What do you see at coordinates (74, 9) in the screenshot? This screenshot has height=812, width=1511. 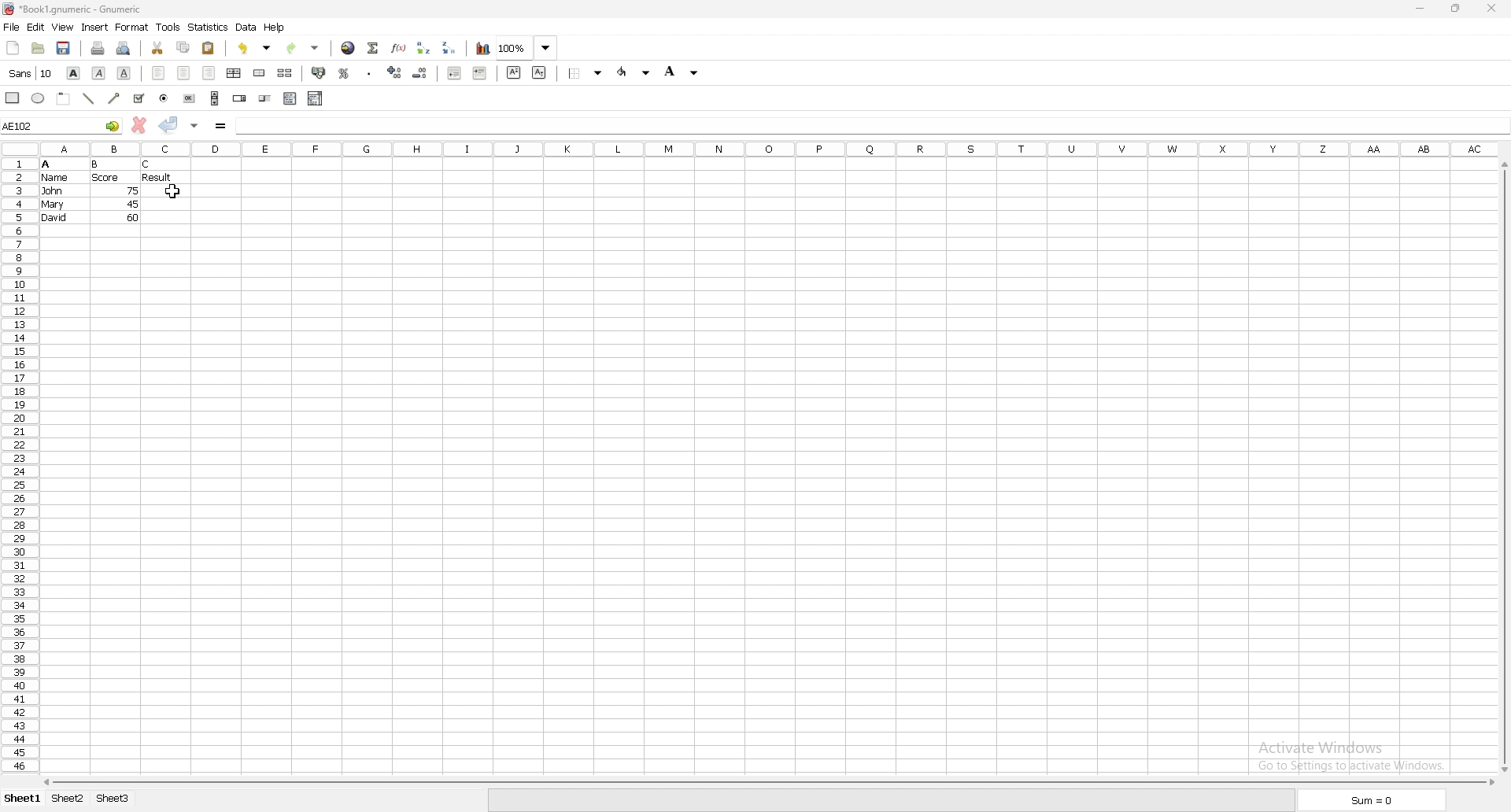 I see `file name` at bounding box center [74, 9].